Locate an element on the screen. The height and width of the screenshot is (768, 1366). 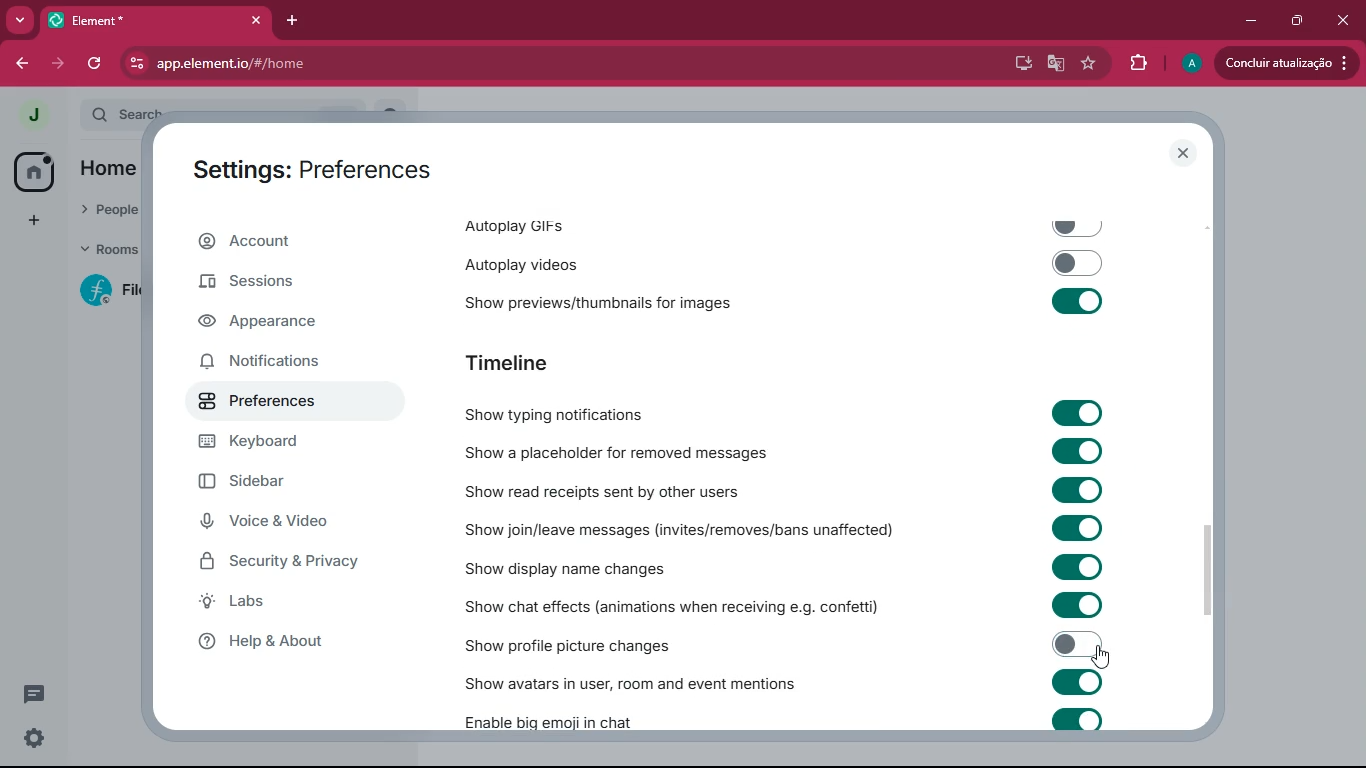
help & about is located at coordinates (300, 646).